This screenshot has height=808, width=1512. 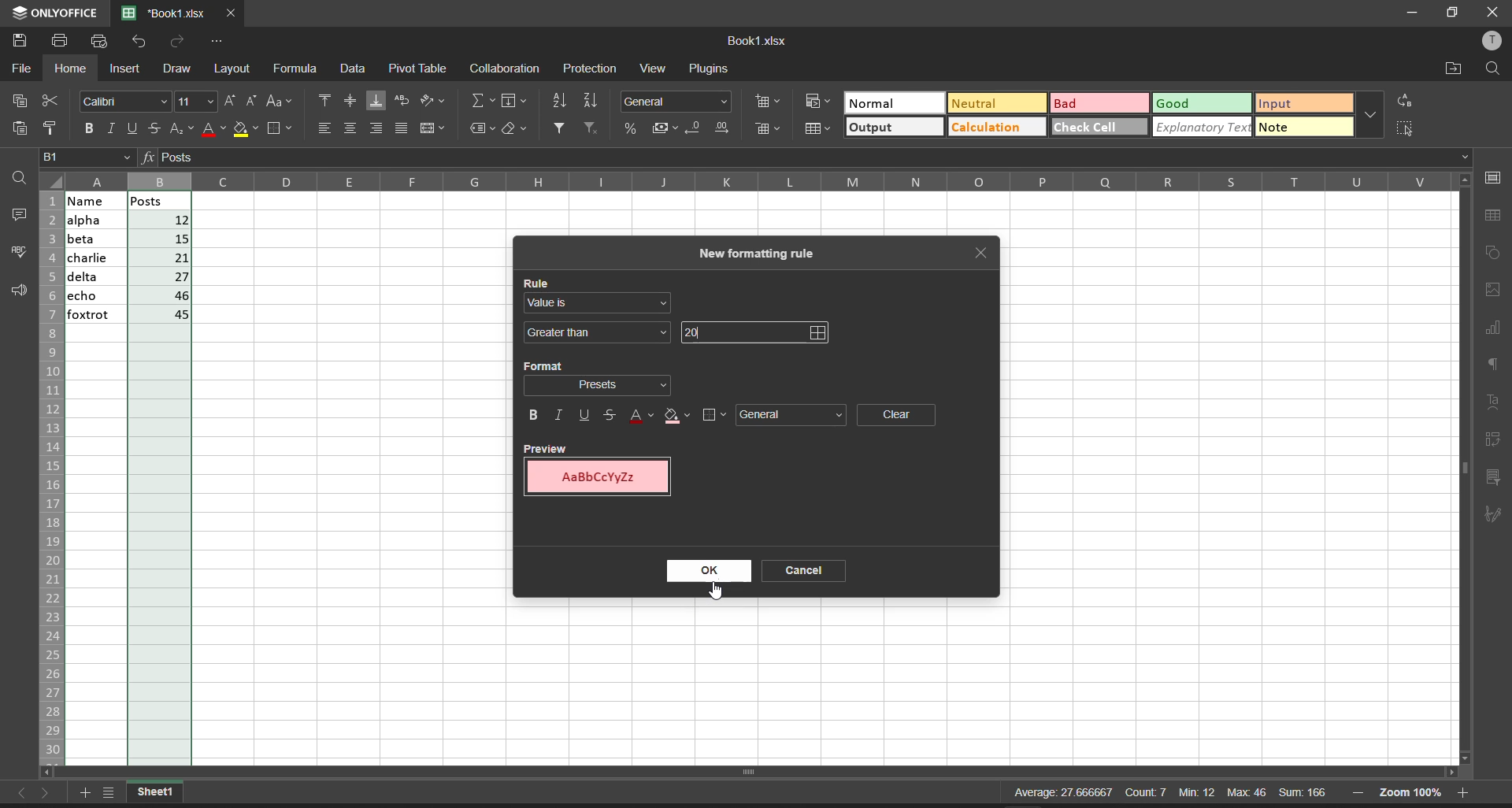 I want to click on subscript/superscript, so click(x=182, y=129).